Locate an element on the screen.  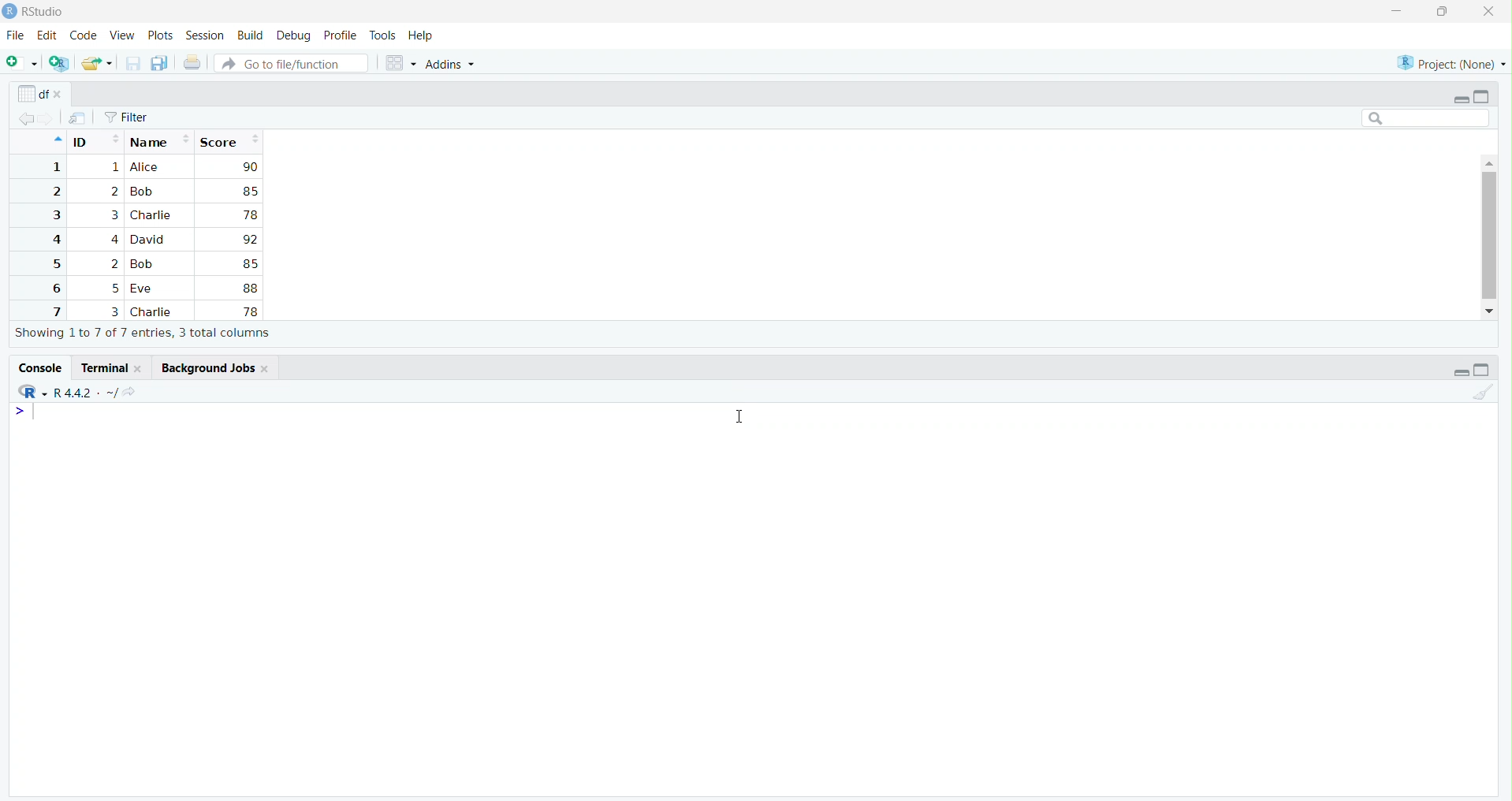
console is located at coordinates (39, 367).